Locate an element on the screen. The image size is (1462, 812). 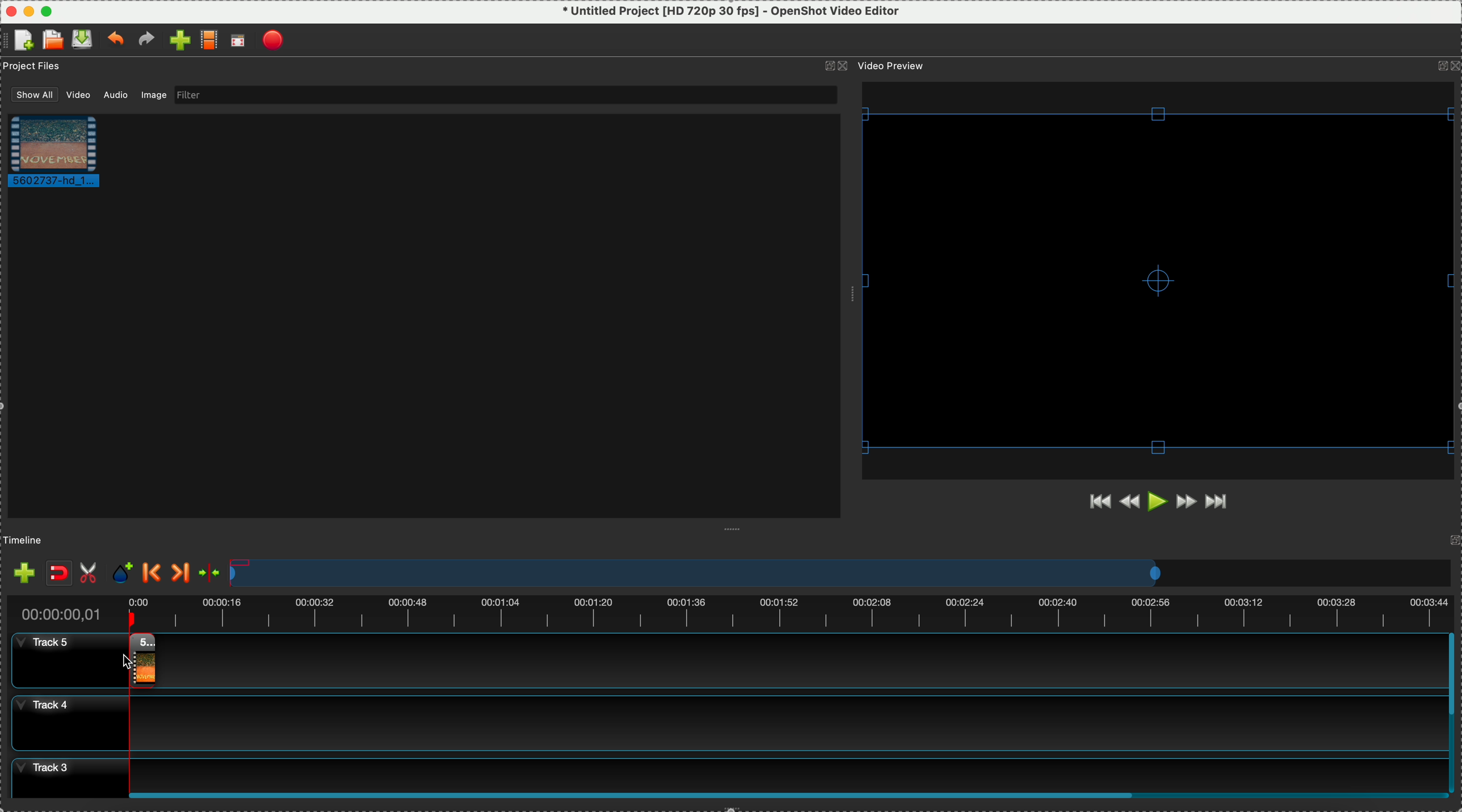
scroll bar is located at coordinates (1453, 710).